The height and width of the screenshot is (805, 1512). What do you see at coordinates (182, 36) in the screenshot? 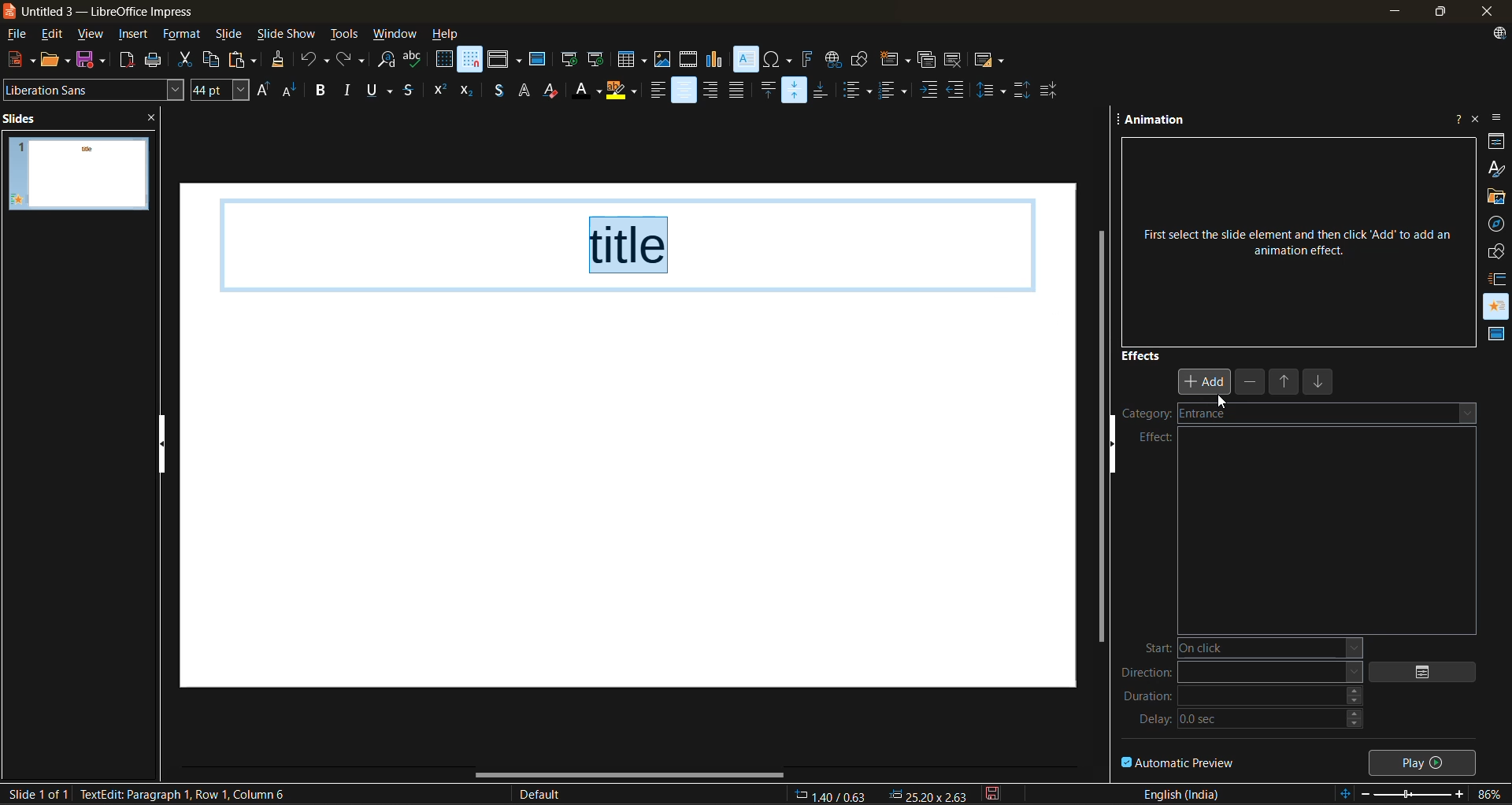
I see `format` at bounding box center [182, 36].